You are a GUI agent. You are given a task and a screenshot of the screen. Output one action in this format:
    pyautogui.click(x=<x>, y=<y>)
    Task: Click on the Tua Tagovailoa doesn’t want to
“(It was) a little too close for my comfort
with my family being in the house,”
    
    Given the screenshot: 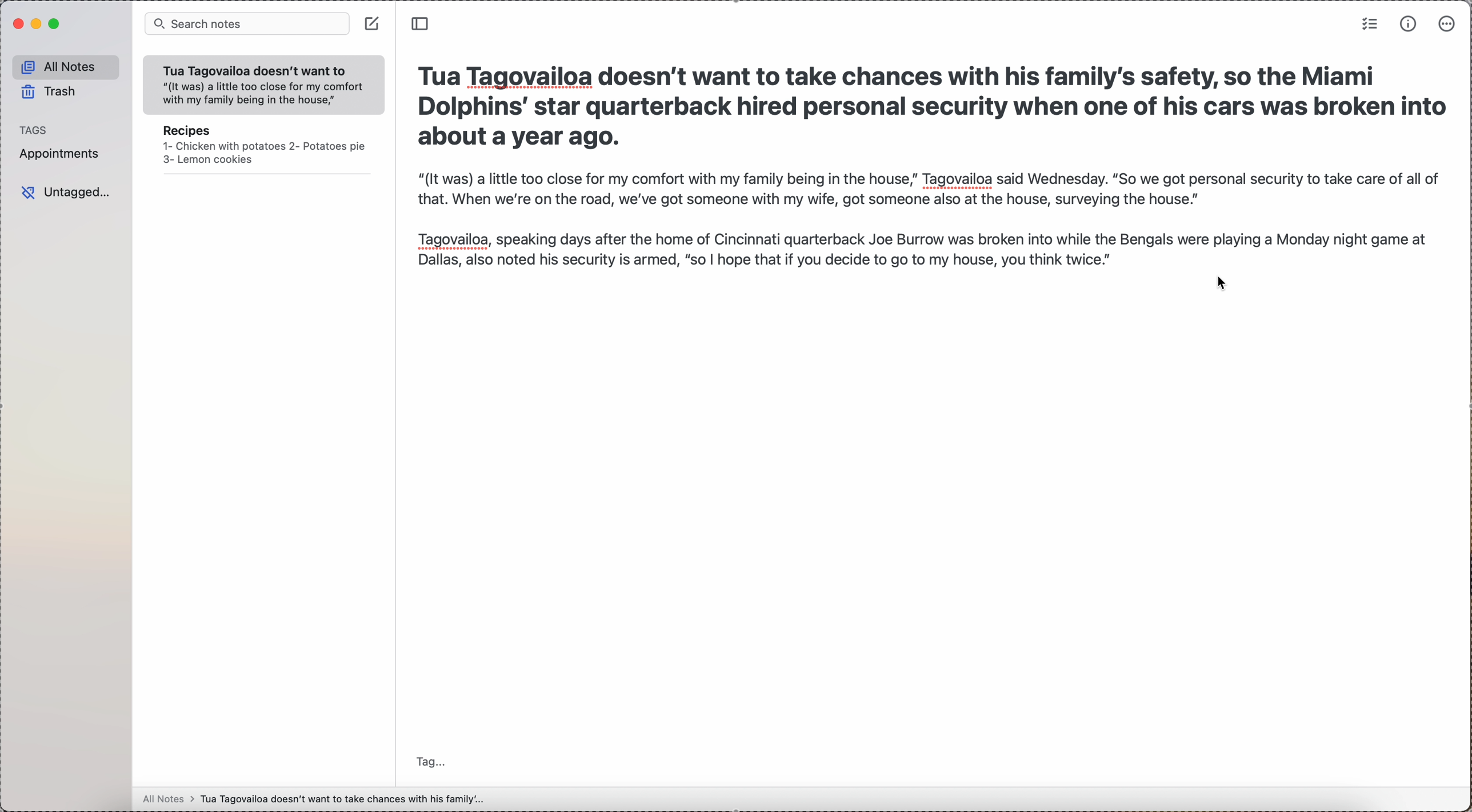 What is the action you would take?
    pyautogui.click(x=258, y=83)
    